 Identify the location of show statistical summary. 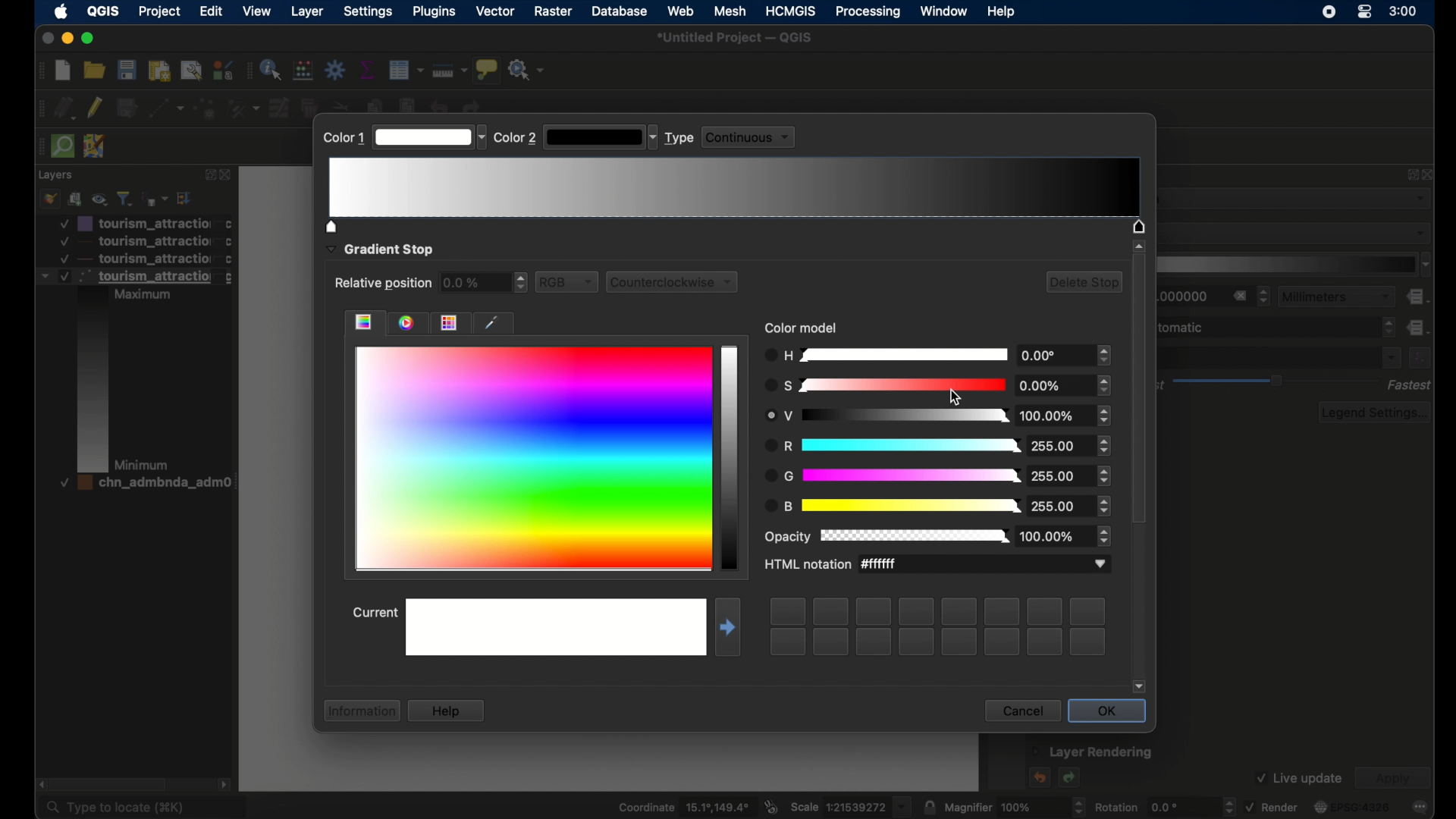
(368, 69).